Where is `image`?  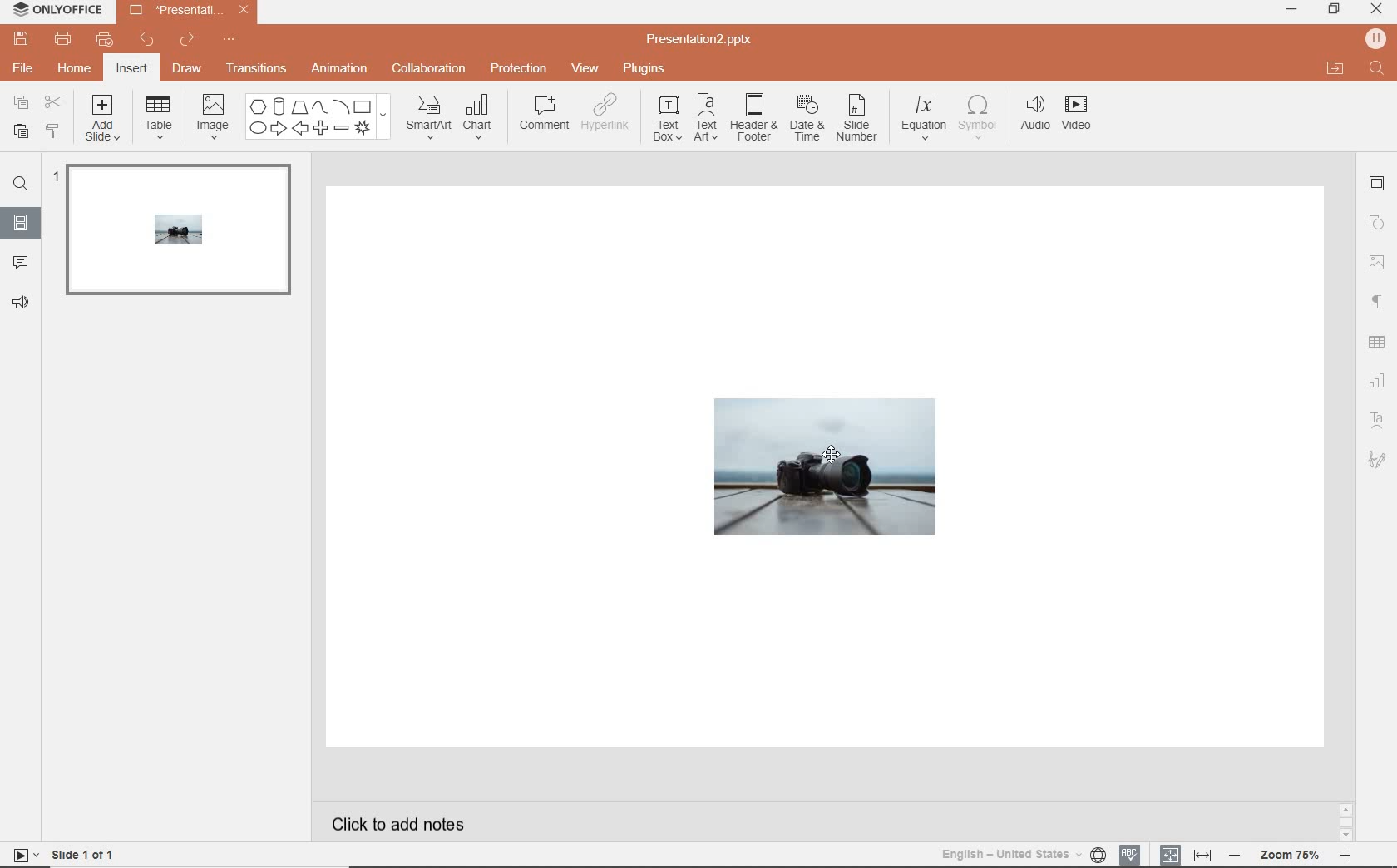
image is located at coordinates (212, 116).